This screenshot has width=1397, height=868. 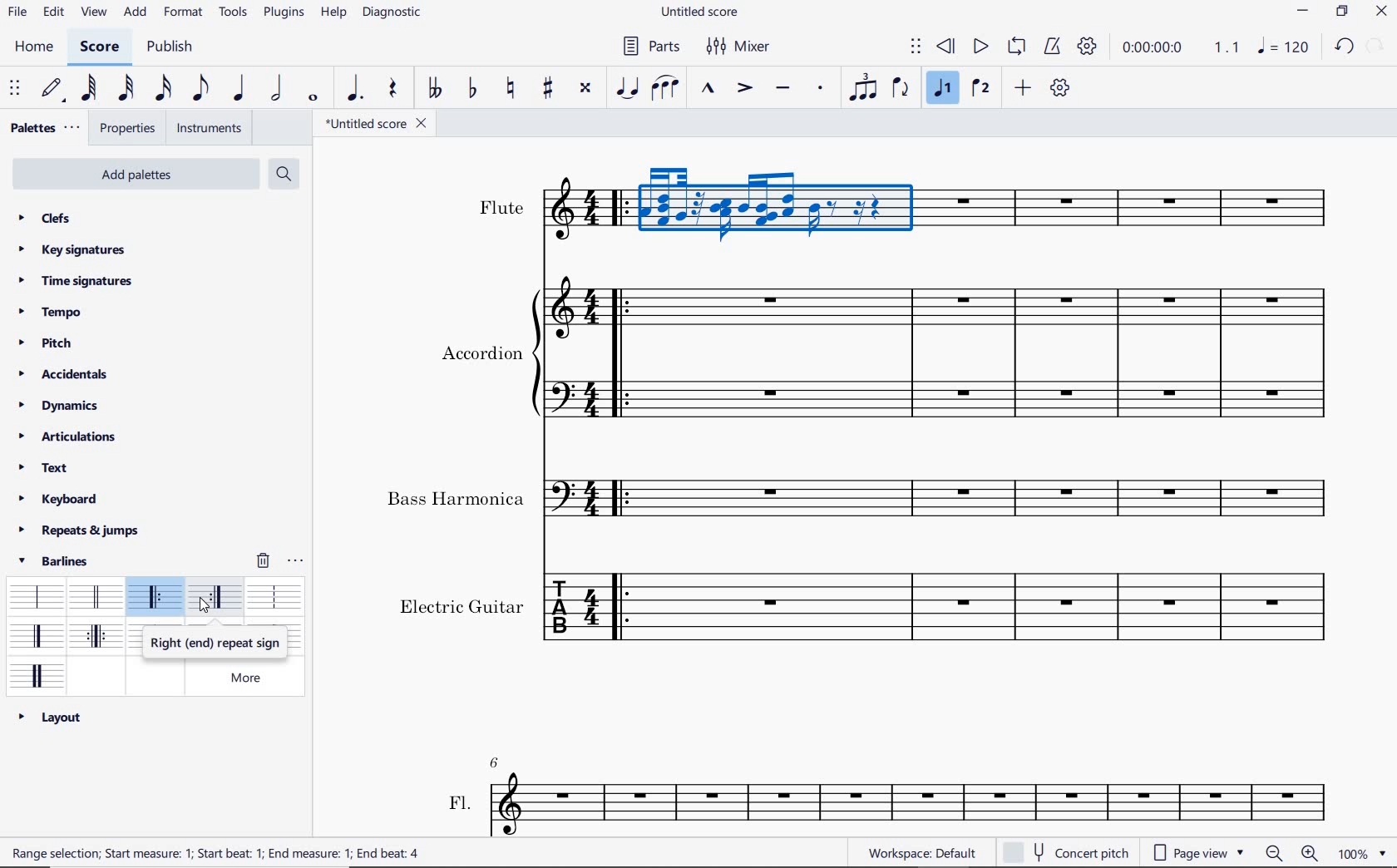 What do you see at coordinates (43, 342) in the screenshot?
I see `pitch` at bounding box center [43, 342].